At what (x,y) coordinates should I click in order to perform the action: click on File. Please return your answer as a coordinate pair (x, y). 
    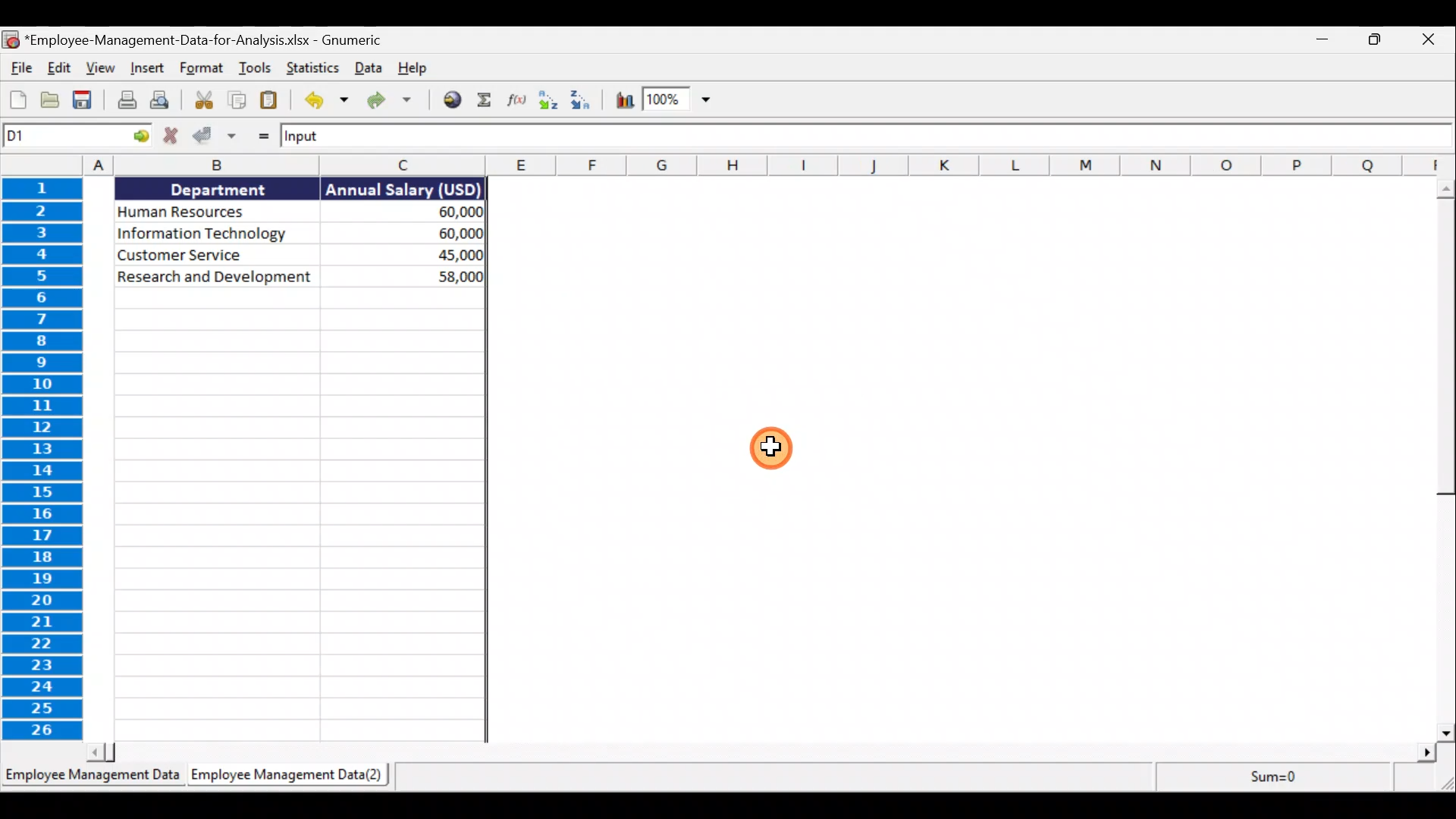
    Looking at the image, I should click on (18, 63).